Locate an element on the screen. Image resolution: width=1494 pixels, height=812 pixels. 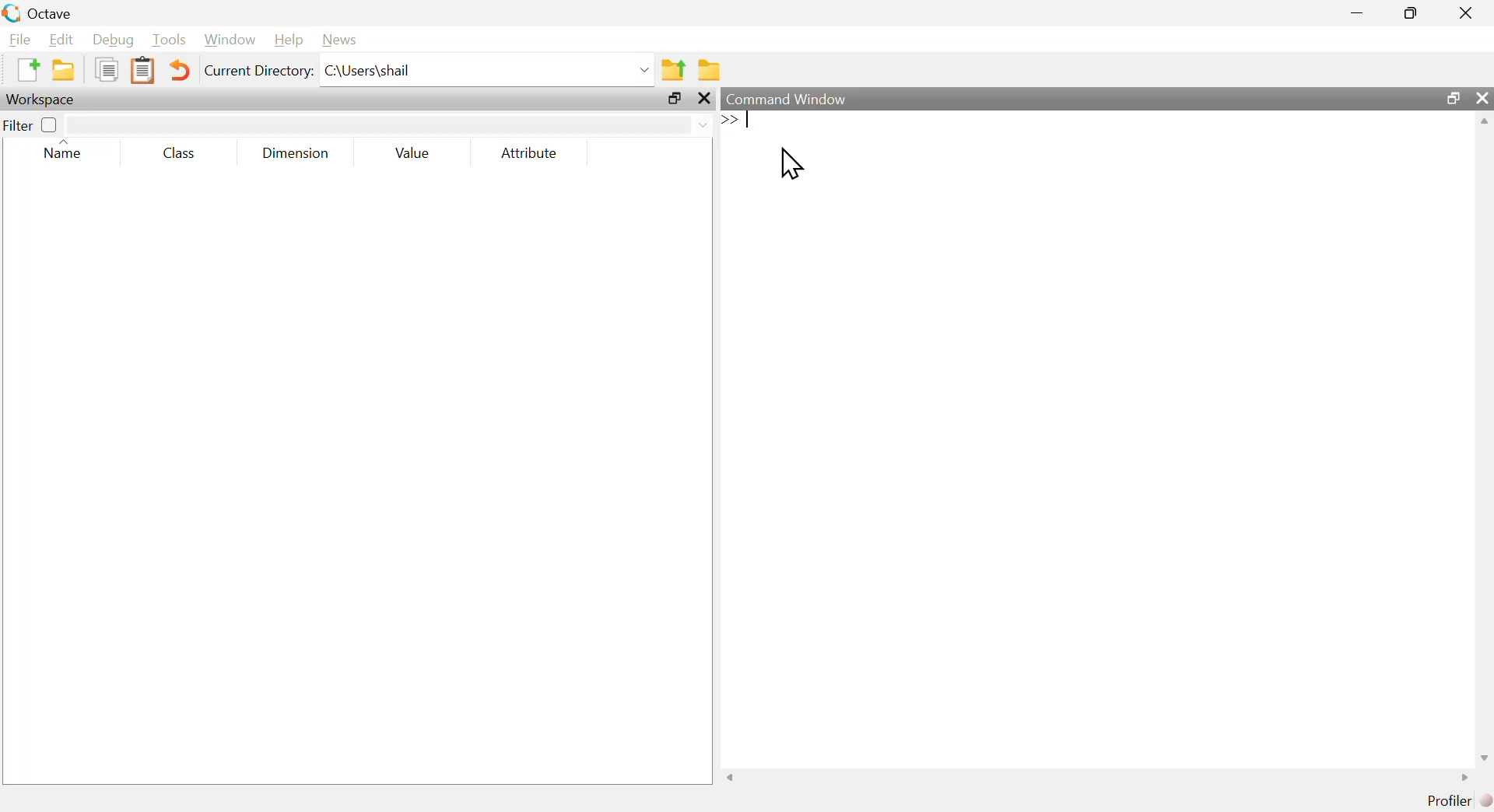
 Debug is located at coordinates (110, 40).